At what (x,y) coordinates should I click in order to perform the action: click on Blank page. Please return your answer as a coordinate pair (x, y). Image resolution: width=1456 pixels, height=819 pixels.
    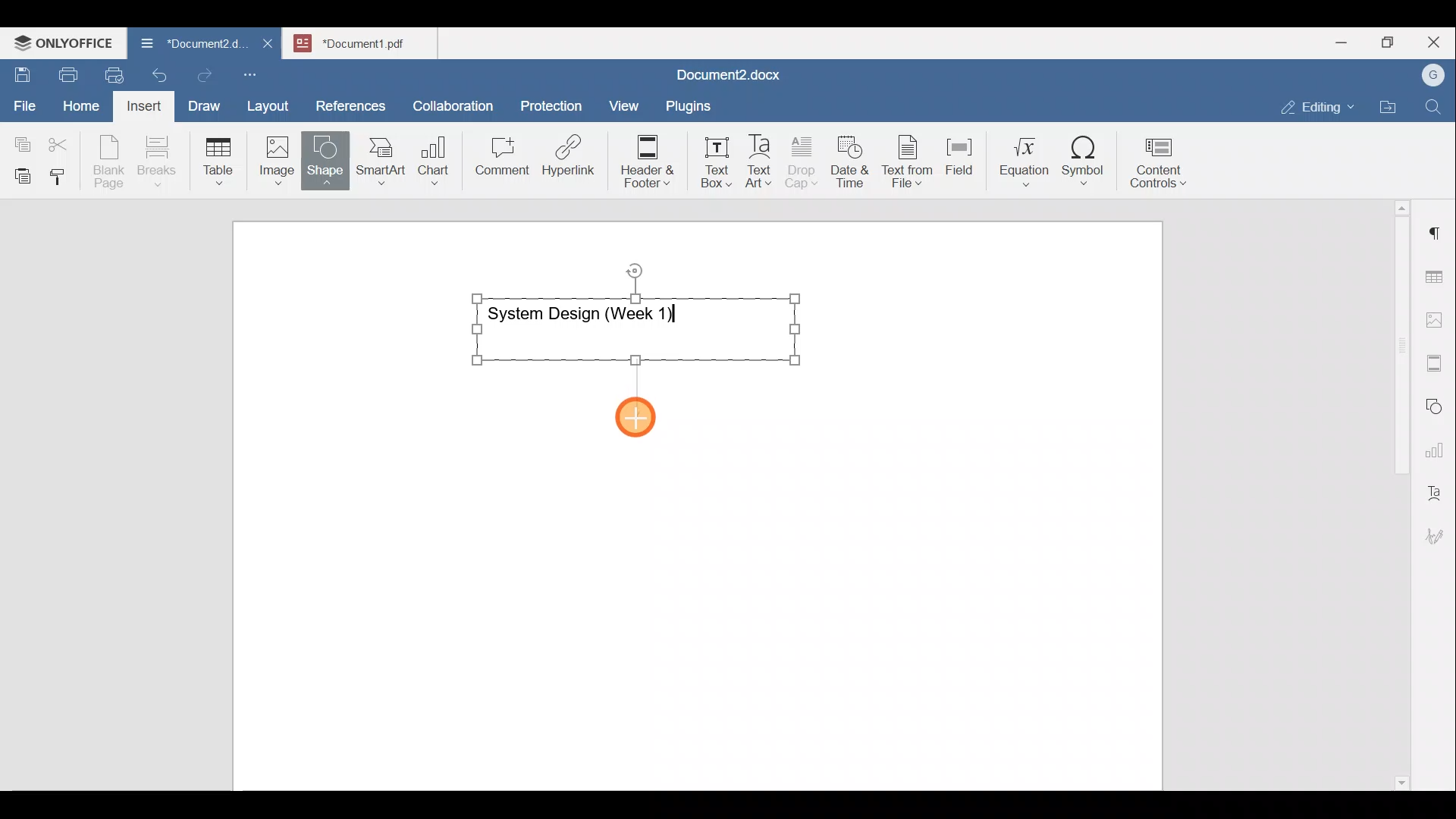
    Looking at the image, I should click on (111, 162).